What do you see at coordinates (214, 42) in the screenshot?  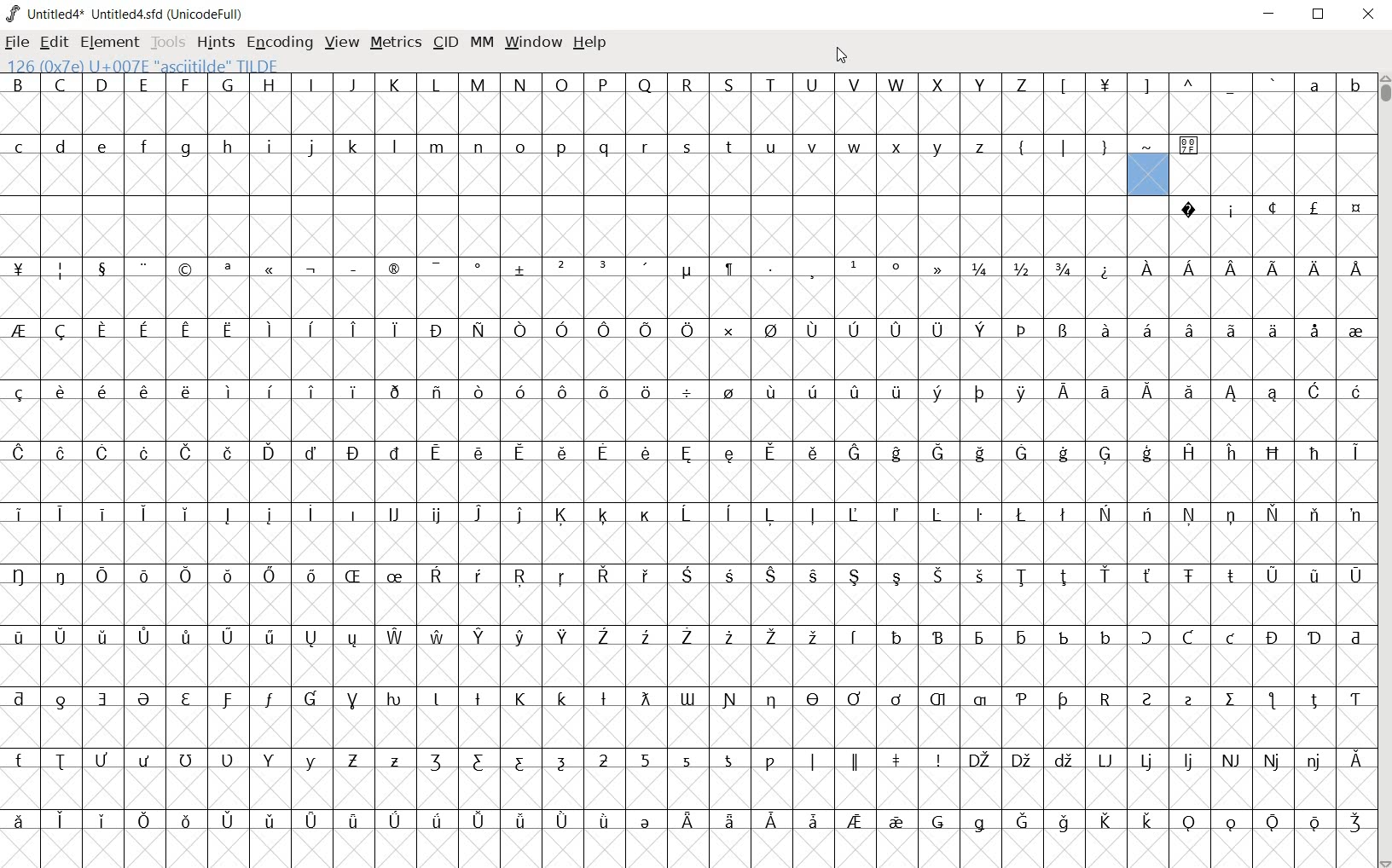 I see `HINTS` at bounding box center [214, 42].